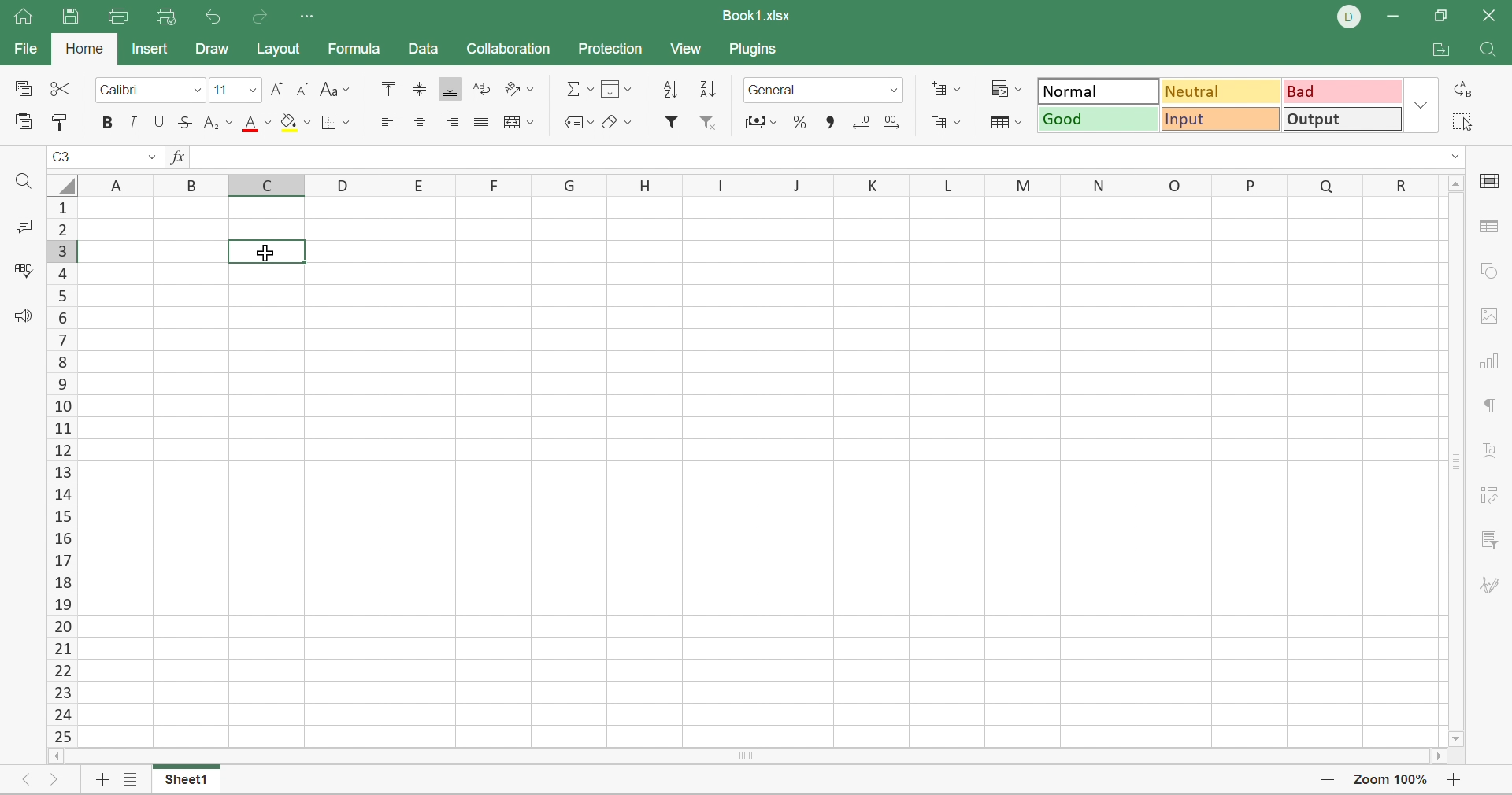  What do you see at coordinates (518, 87) in the screenshot?
I see `Orientation` at bounding box center [518, 87].